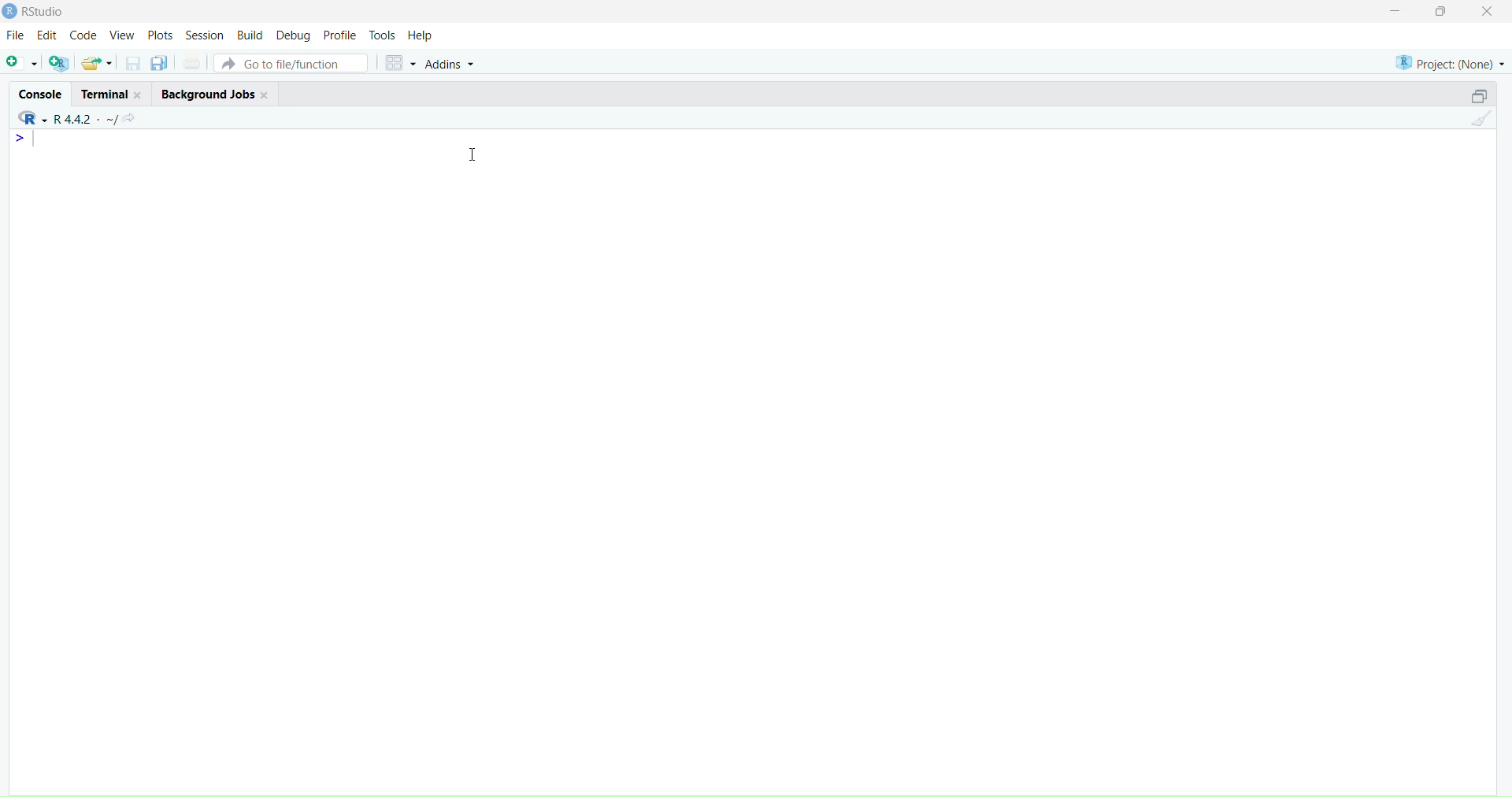 The height and width of the screenshot is (797, 1512). I want to click on print, so click(193, 61).